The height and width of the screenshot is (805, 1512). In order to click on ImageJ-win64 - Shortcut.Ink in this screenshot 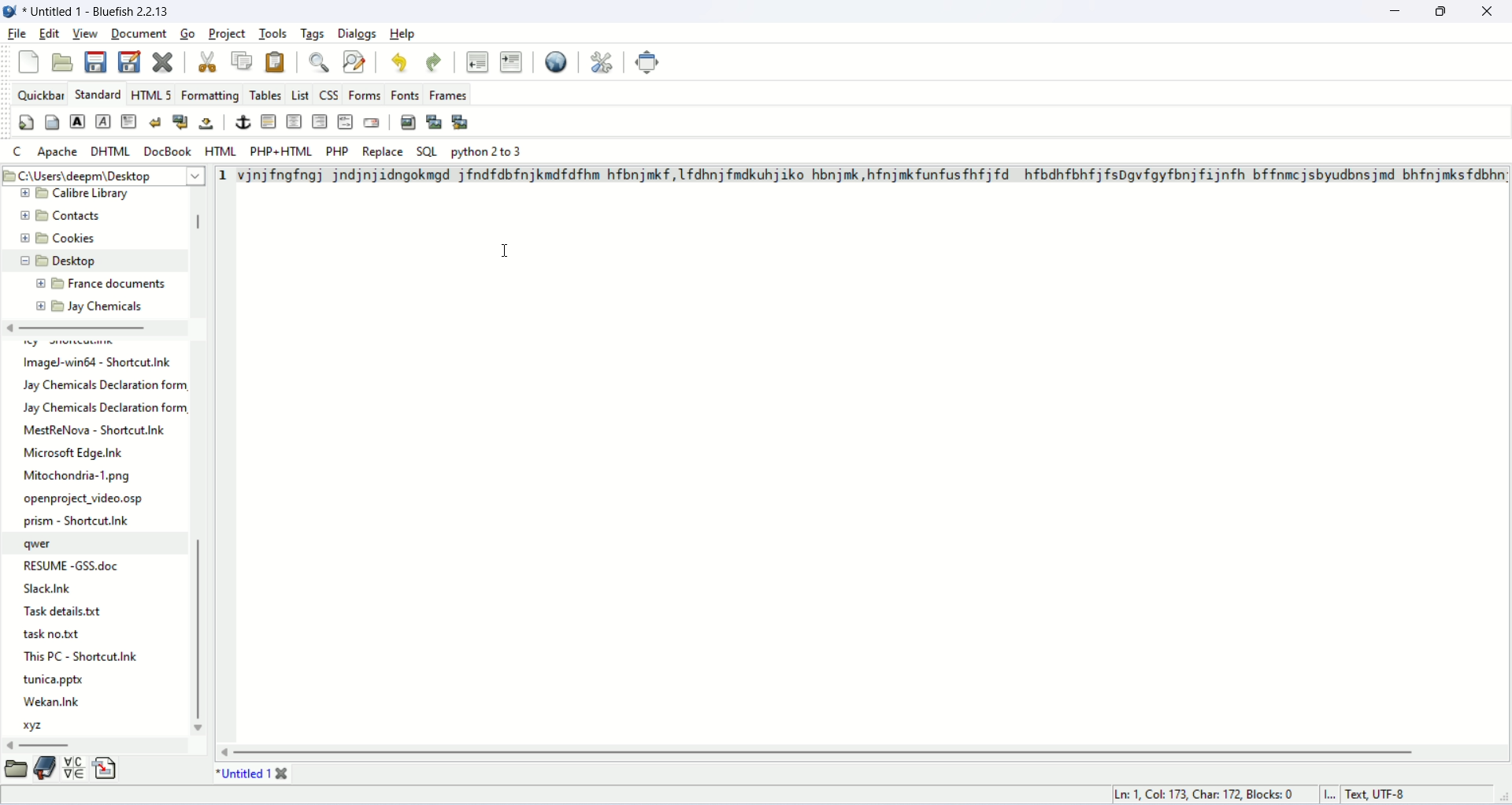, I will do `click(95, 363)`.